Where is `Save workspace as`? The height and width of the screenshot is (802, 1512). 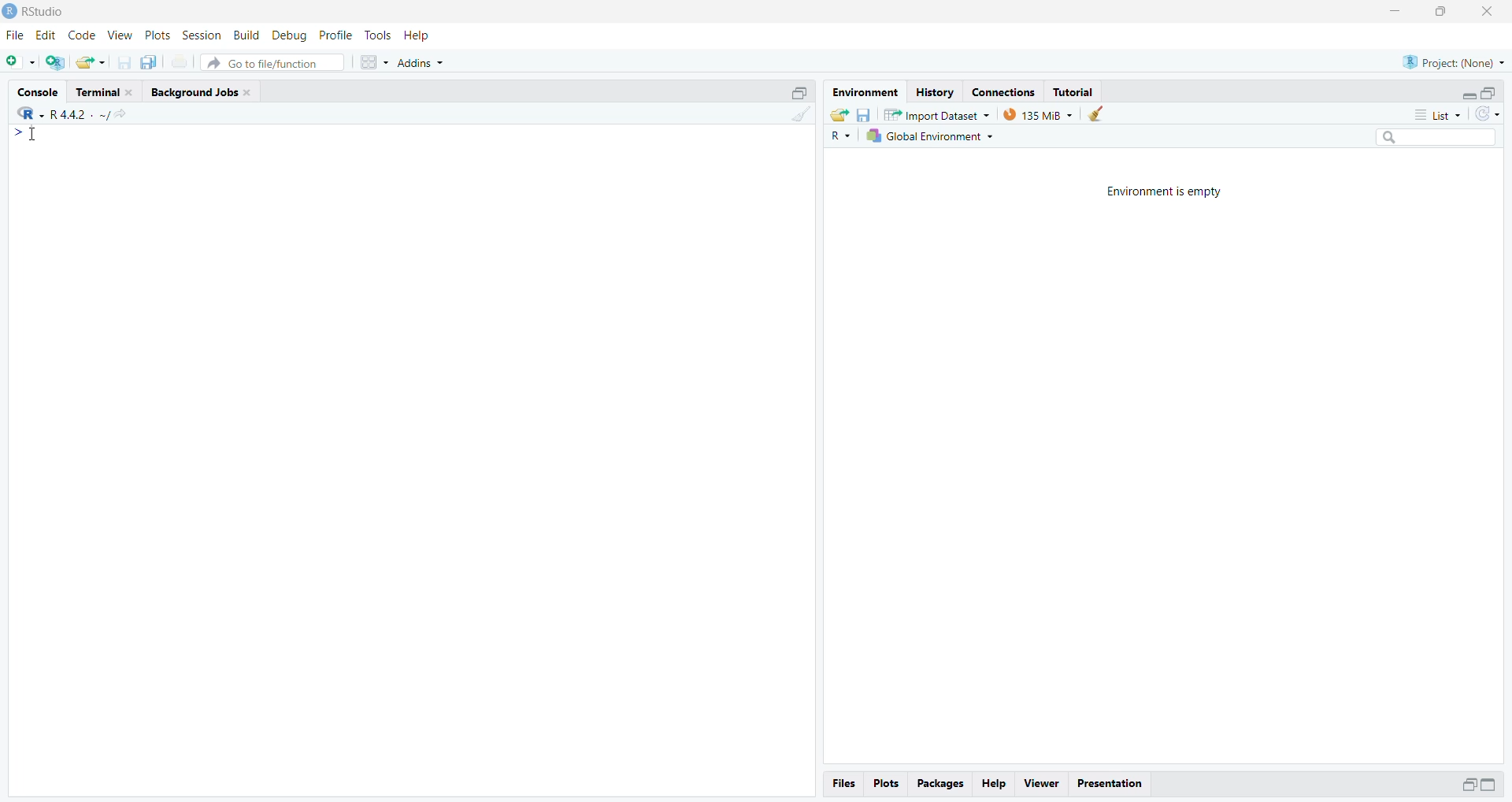 Save workspace as is located at coordinates (864, 113).